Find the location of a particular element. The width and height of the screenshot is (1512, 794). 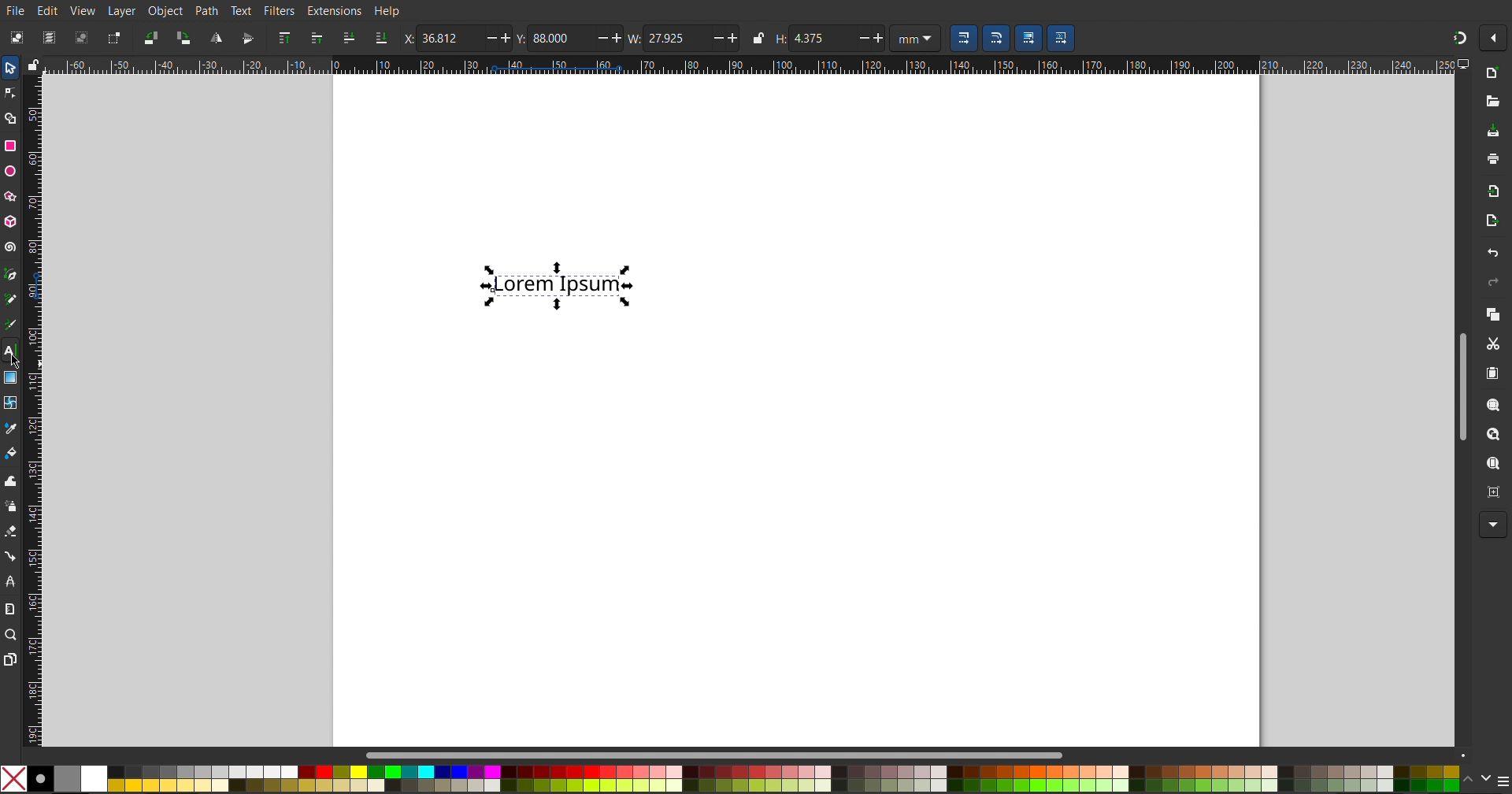

Zoom Drawing is located at coordinates (1489, 435).